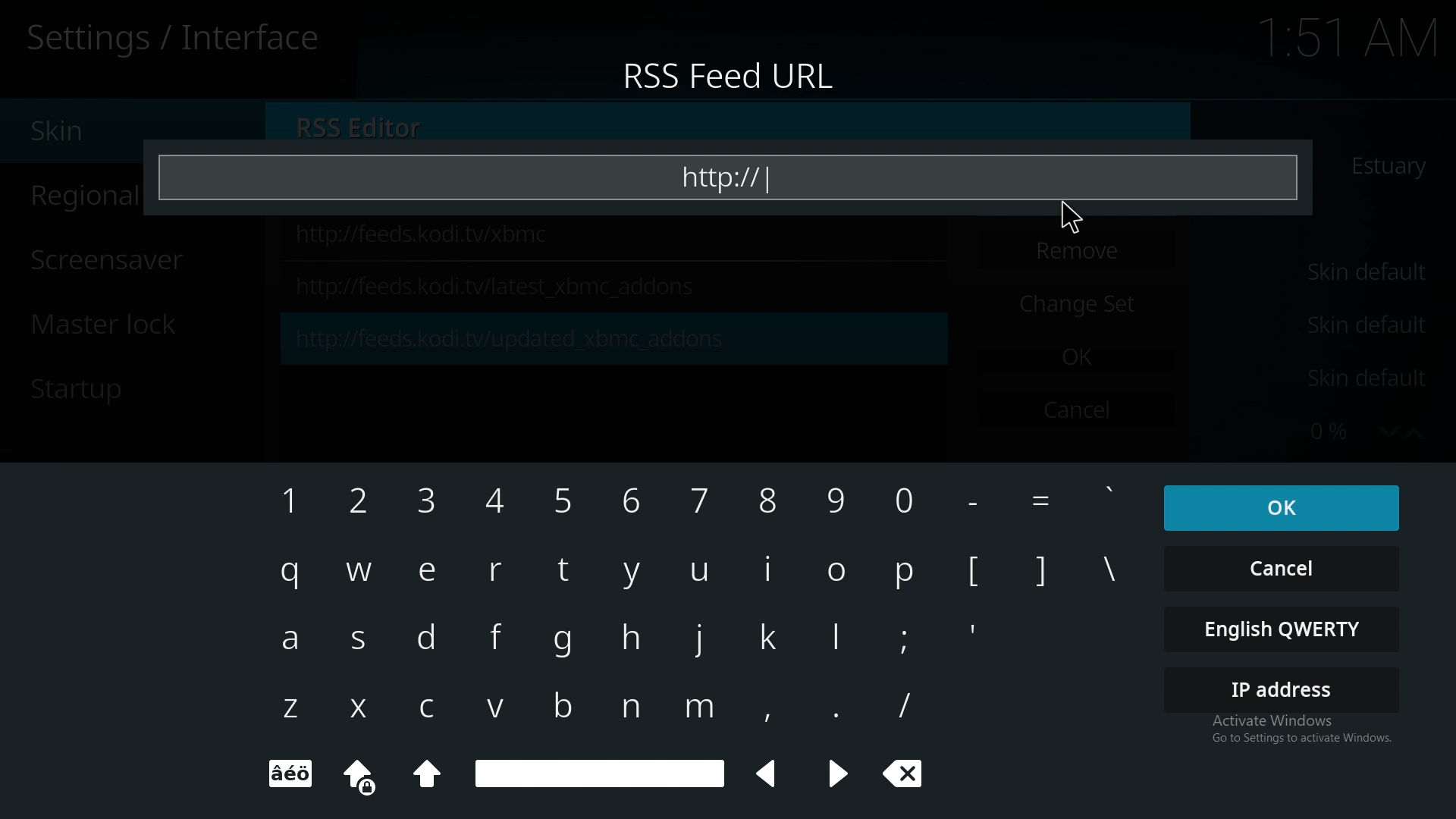  Describe the element at coordinates (767, 637) in the screenshot. I see `keyboard Input` at that location.